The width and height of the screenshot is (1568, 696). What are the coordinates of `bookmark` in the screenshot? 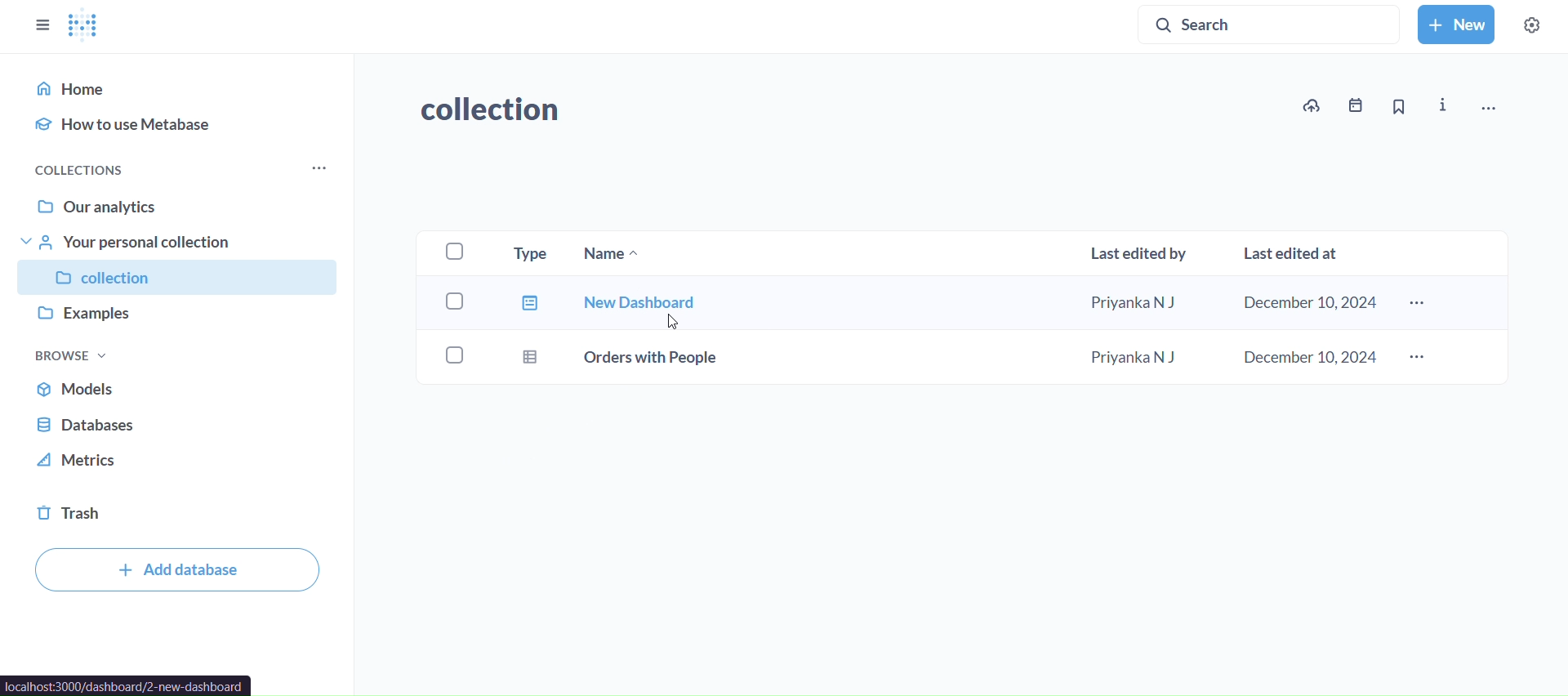 It's located at (1399, 105).